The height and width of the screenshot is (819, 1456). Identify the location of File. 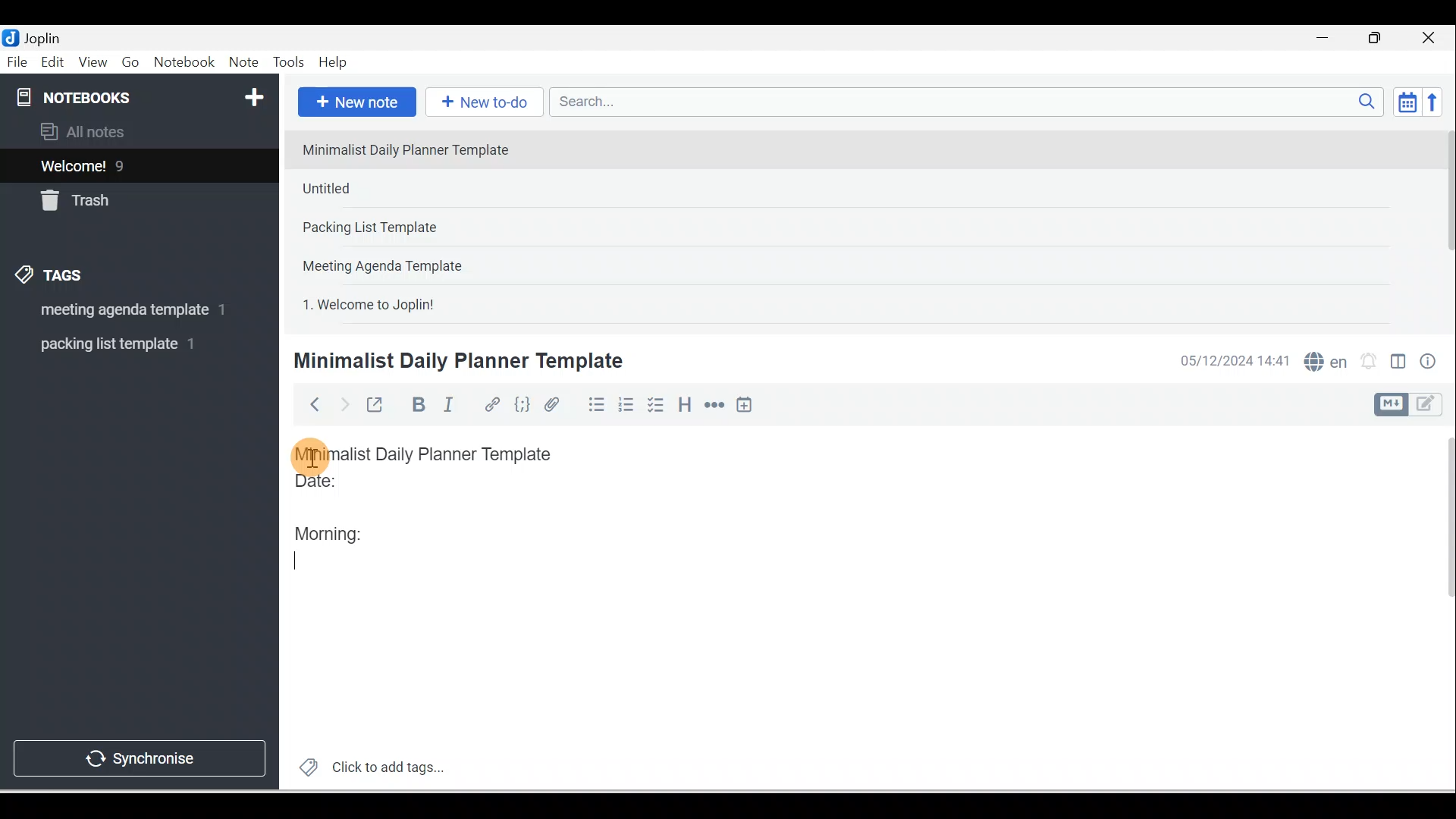
(18, 61).